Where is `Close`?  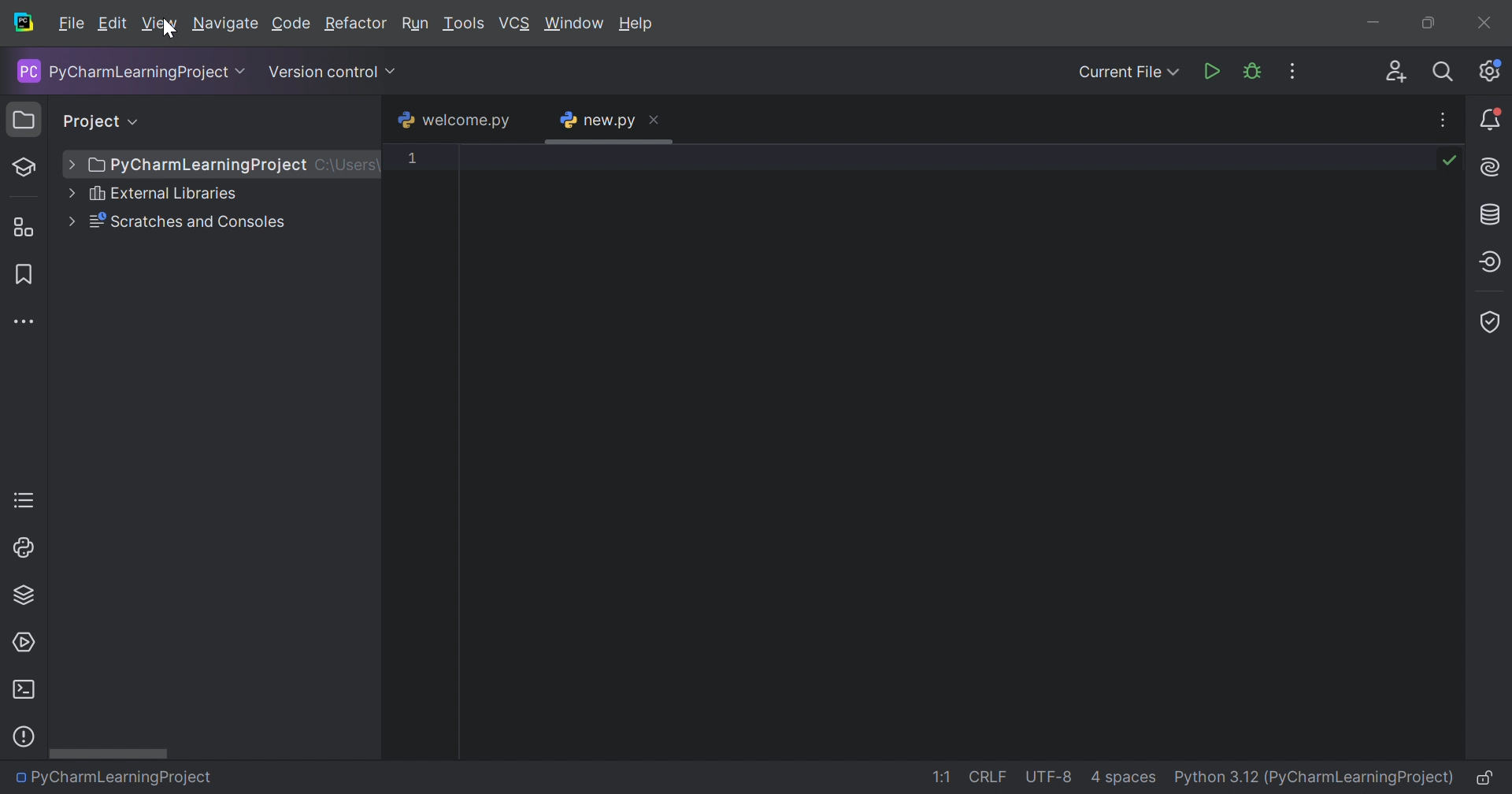
Close is located at coordinates (1482, 21).